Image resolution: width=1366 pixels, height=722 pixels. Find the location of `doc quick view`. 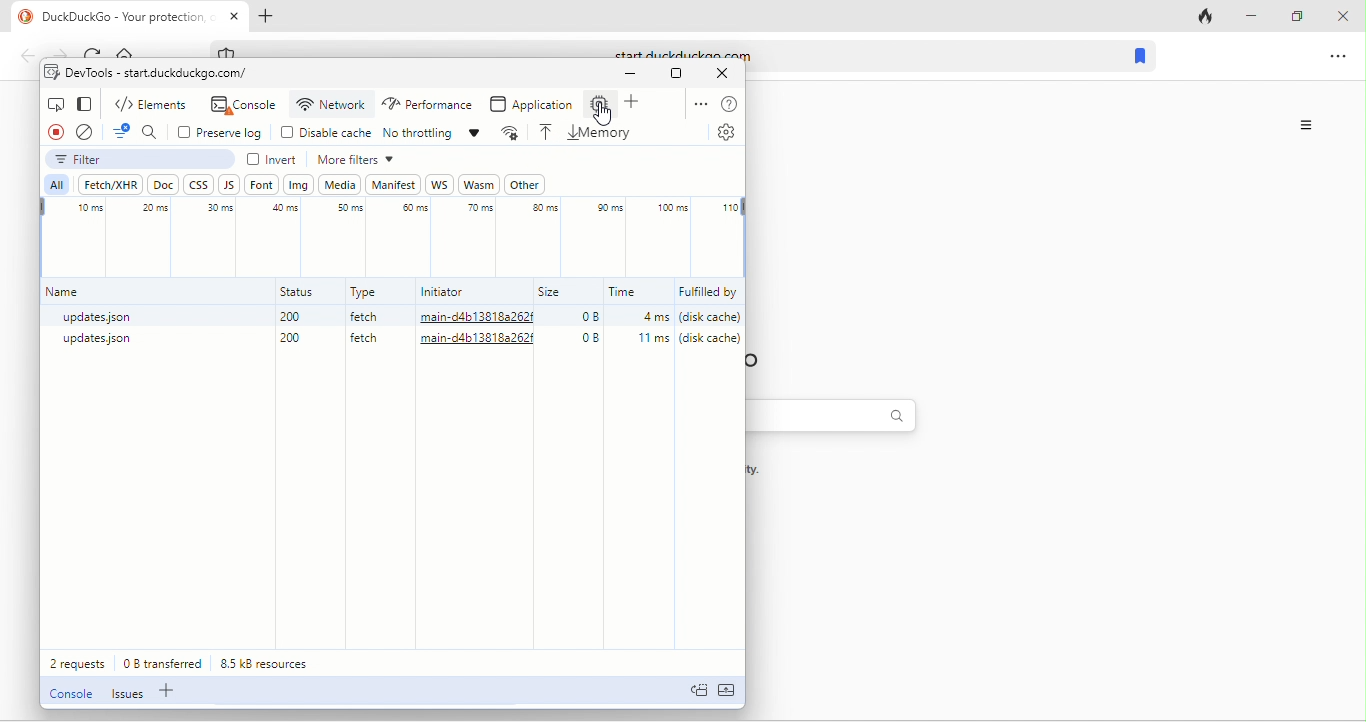

doc quick view is located at coordinates (696, 696).